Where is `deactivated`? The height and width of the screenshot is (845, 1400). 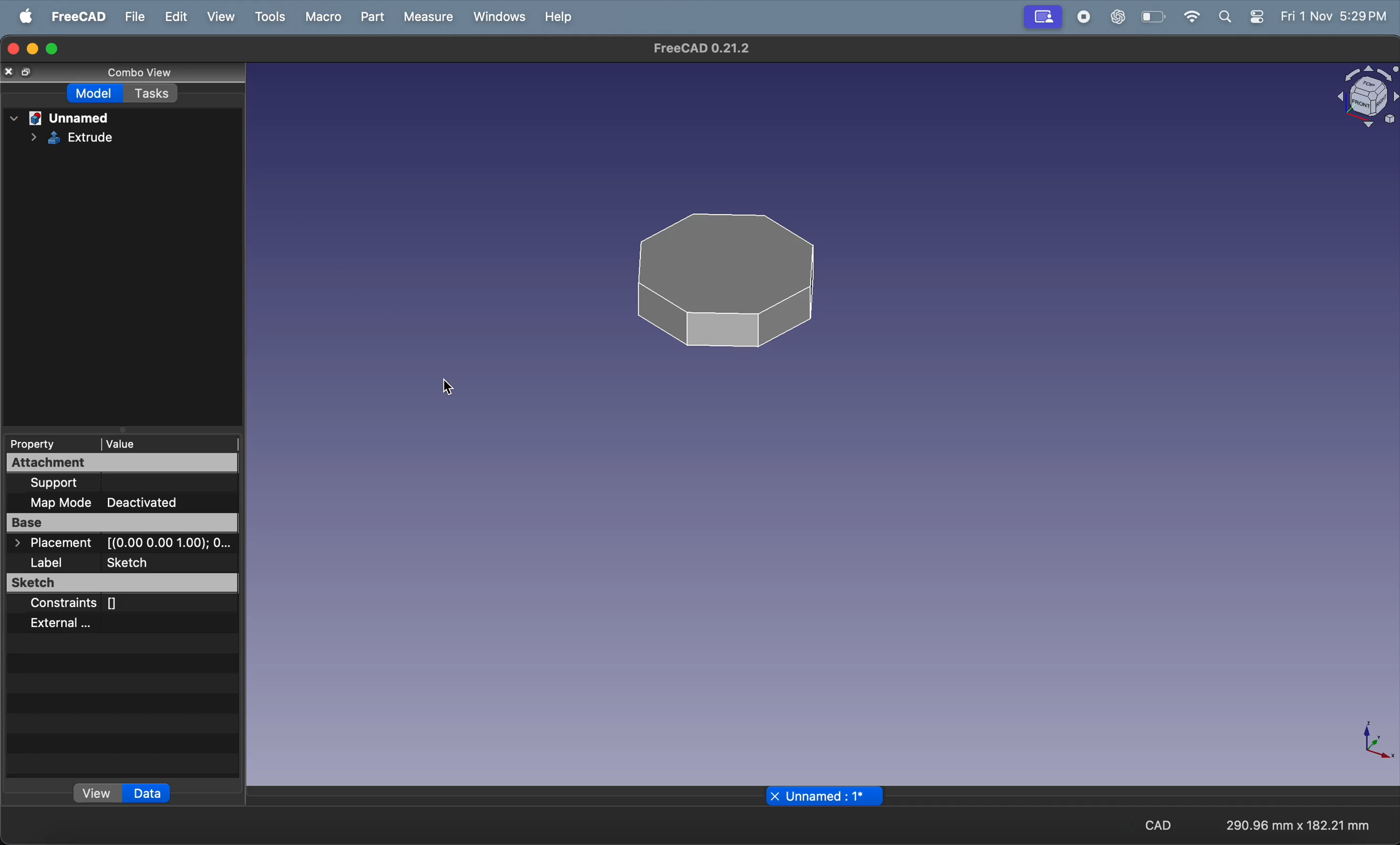 deactivated is located at coordinates (174, 503).